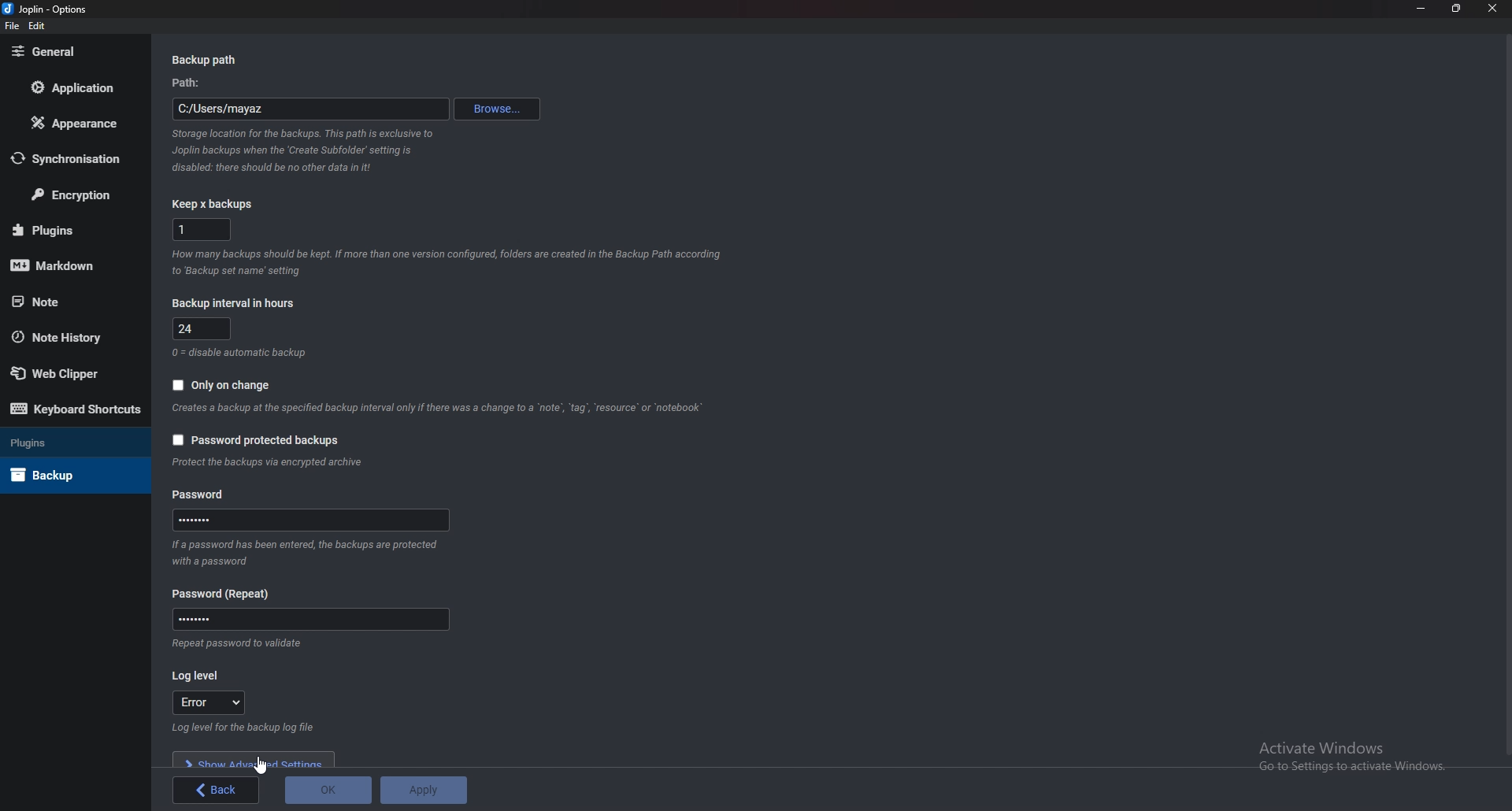  Describe the element at coordinates (239, 302) in the screenshot. I see `Backup interval in hours` at that location.